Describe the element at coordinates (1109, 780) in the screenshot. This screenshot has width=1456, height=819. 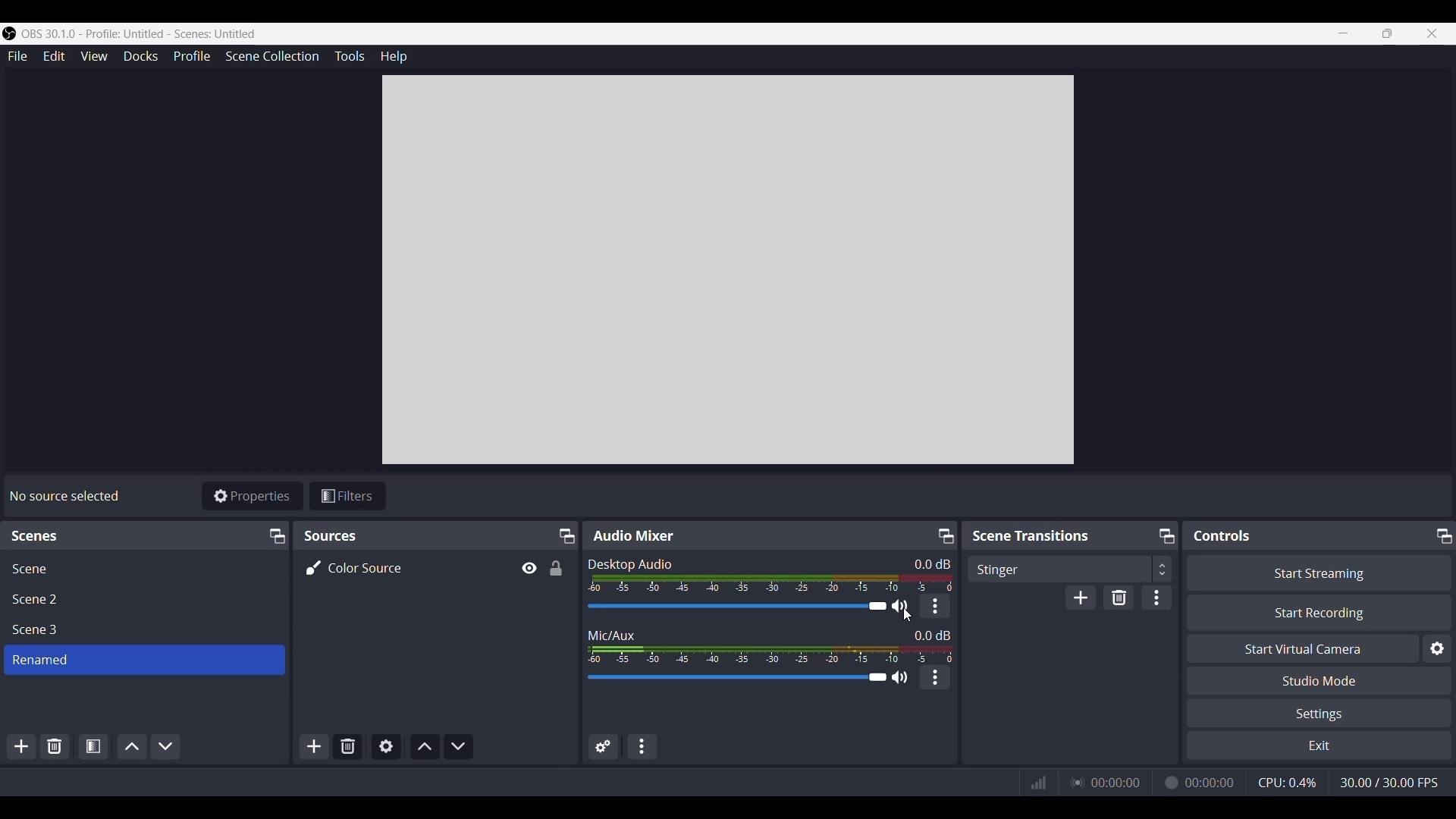
I see `® 00:00:00` at that location.